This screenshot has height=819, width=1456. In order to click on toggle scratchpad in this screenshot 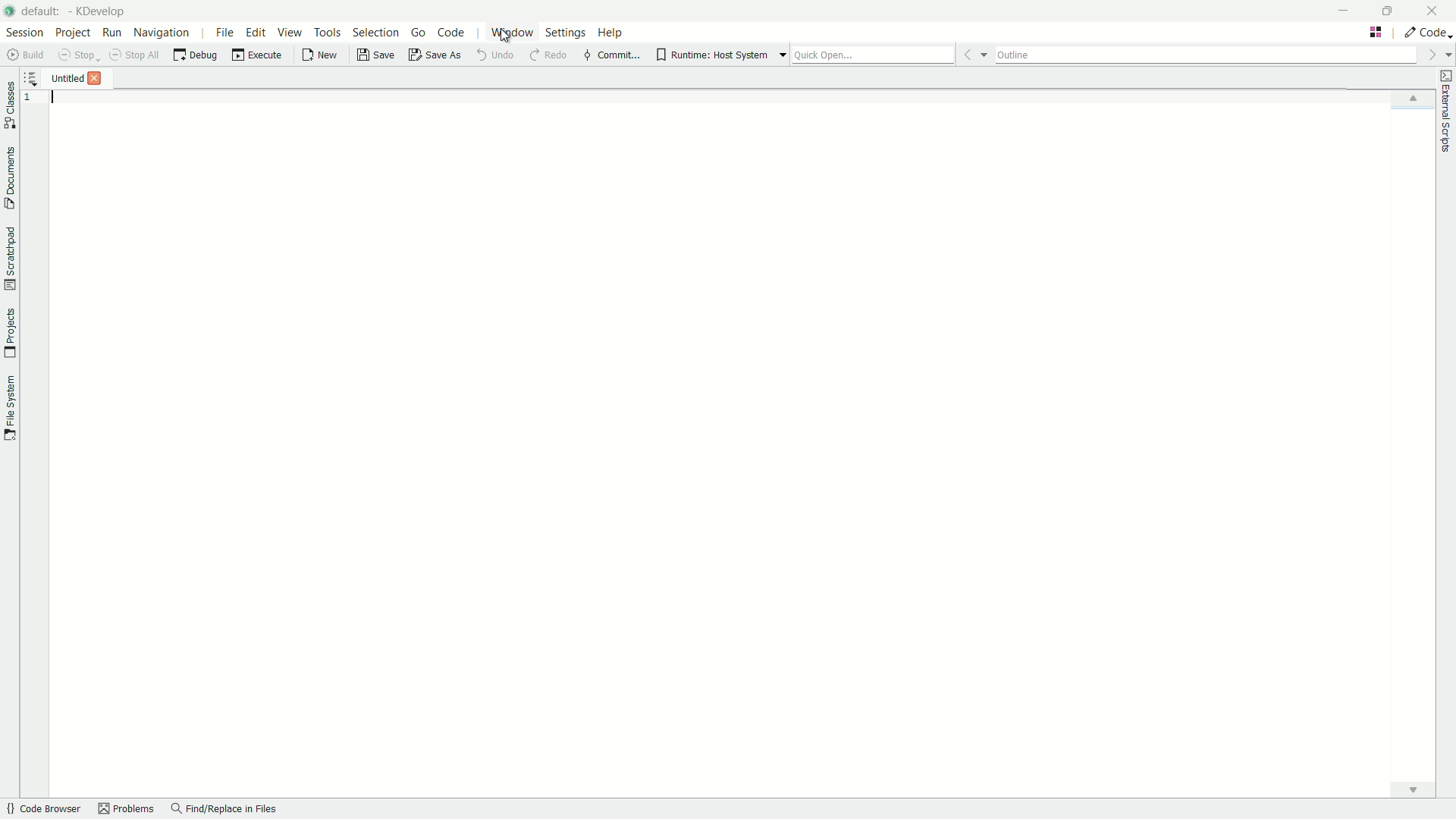, I will do `click(10, 259)`.